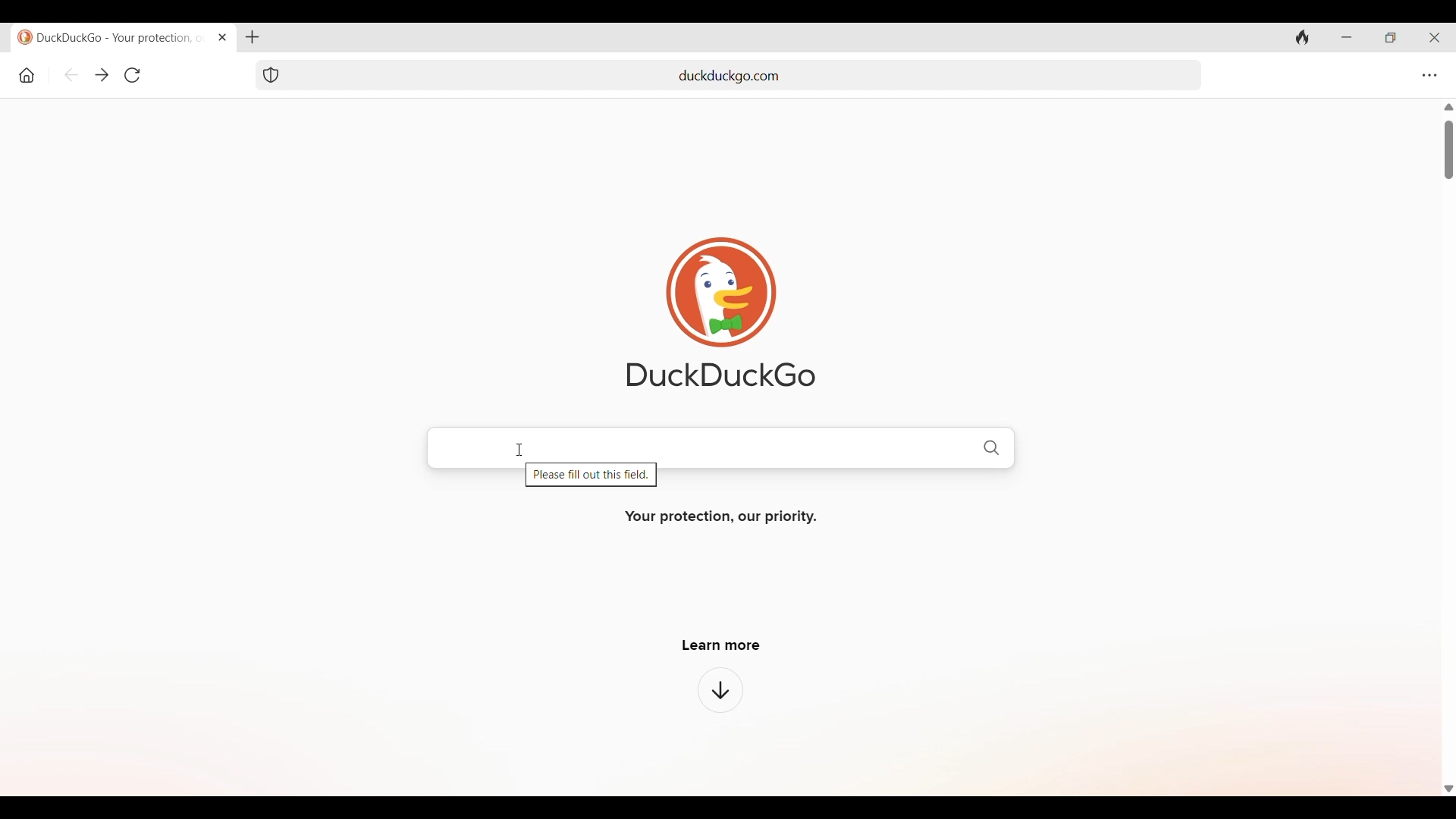 The width and height of the screenshot is (1456, 819). I want to click on Add new tab, so click(252, 37).